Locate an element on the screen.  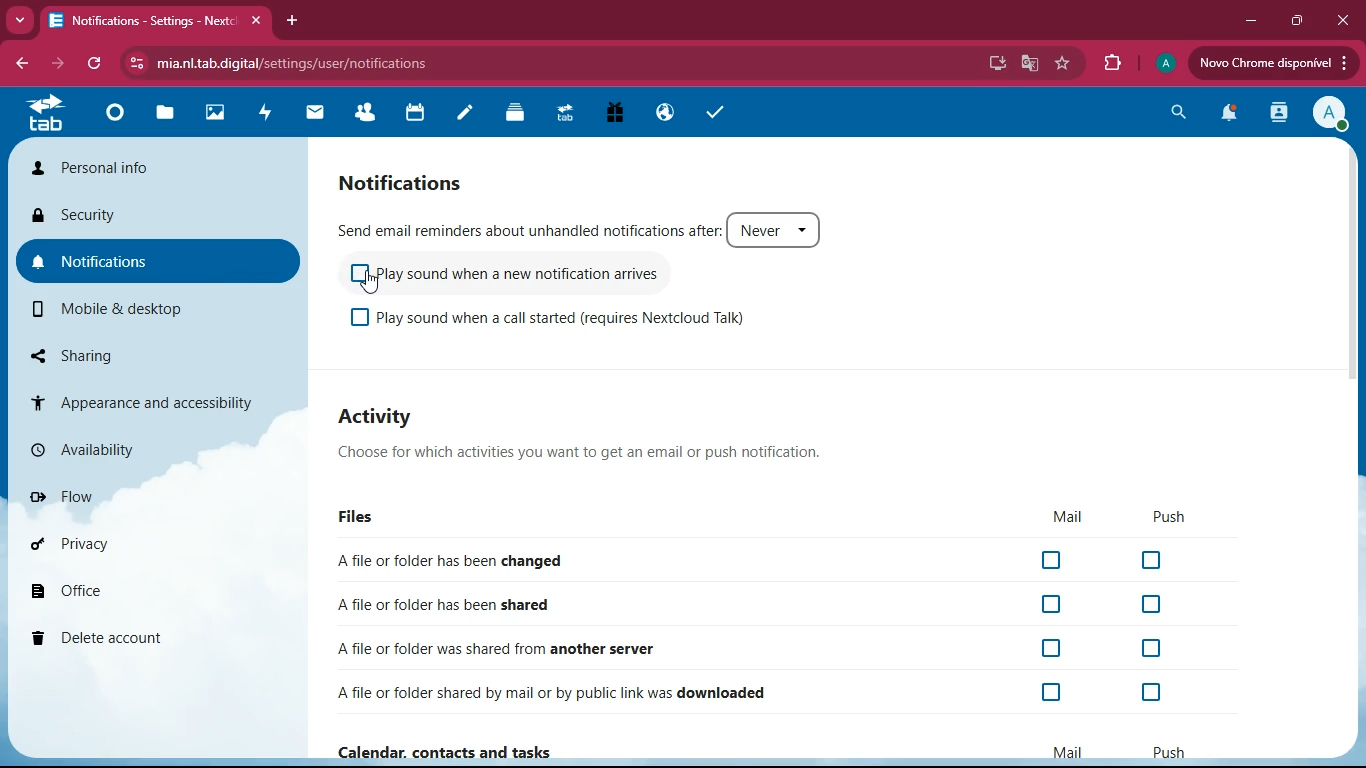
off is located at coordinates (1152, 561).